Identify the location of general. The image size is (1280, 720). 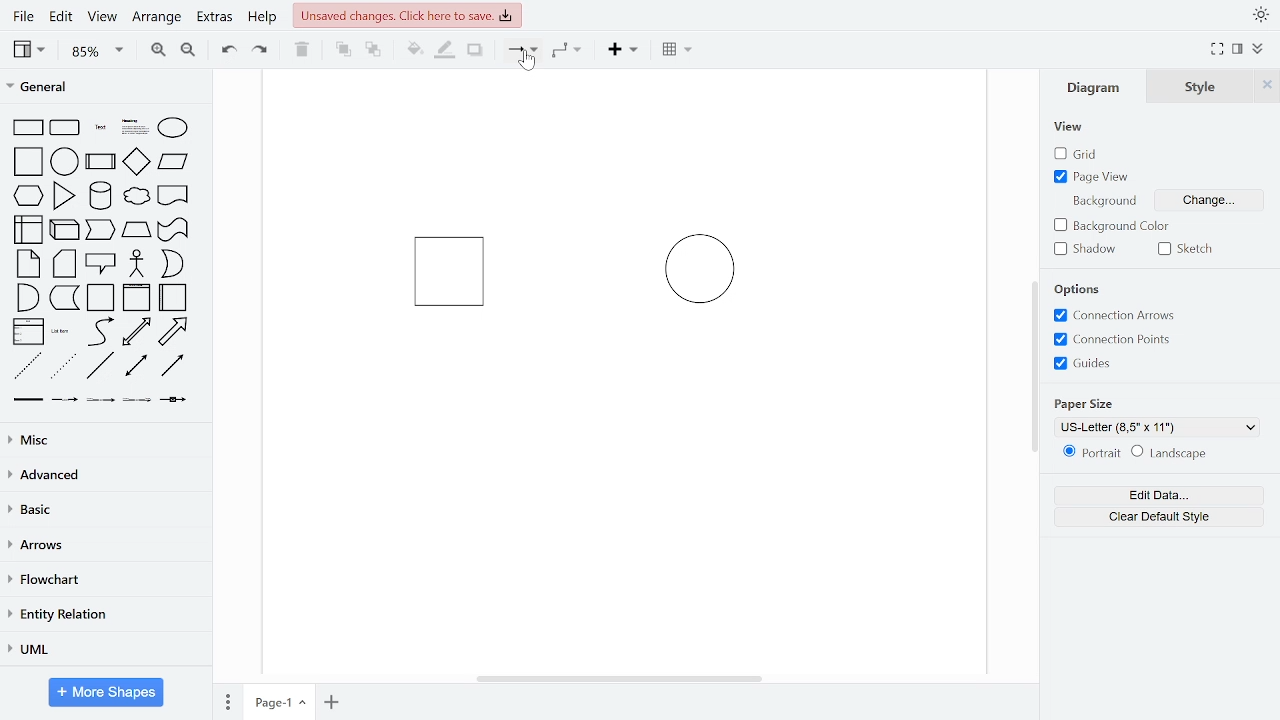
(107, 89).